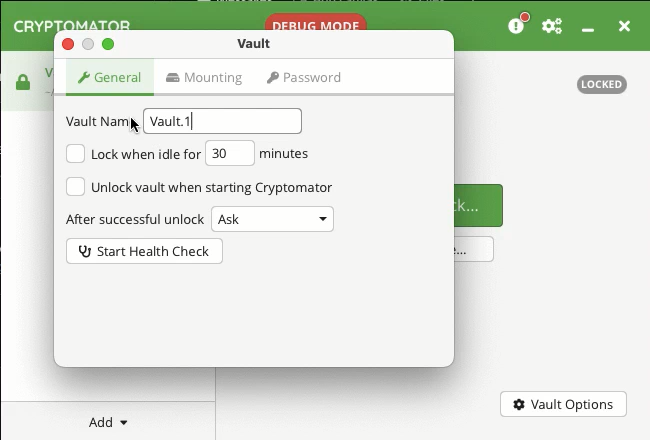 This screenshot has height=440, width=650. I want to click on Vault. 1, so click(223, 120).